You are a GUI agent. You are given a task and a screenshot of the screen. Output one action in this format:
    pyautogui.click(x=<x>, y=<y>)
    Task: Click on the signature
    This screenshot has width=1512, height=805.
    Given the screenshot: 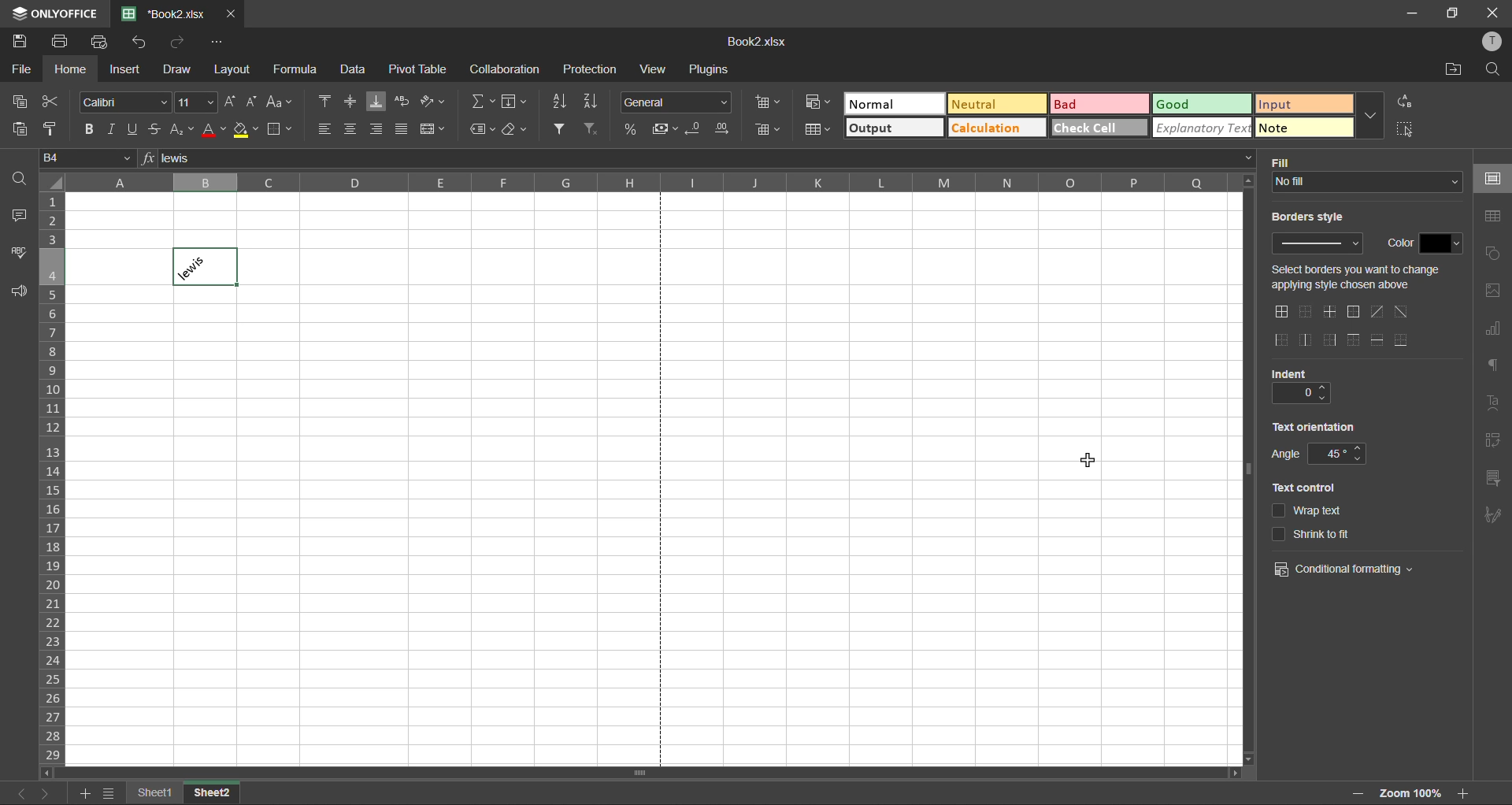 What is the action you would take?
    pyautogui.click(x=1492, y=518)
    